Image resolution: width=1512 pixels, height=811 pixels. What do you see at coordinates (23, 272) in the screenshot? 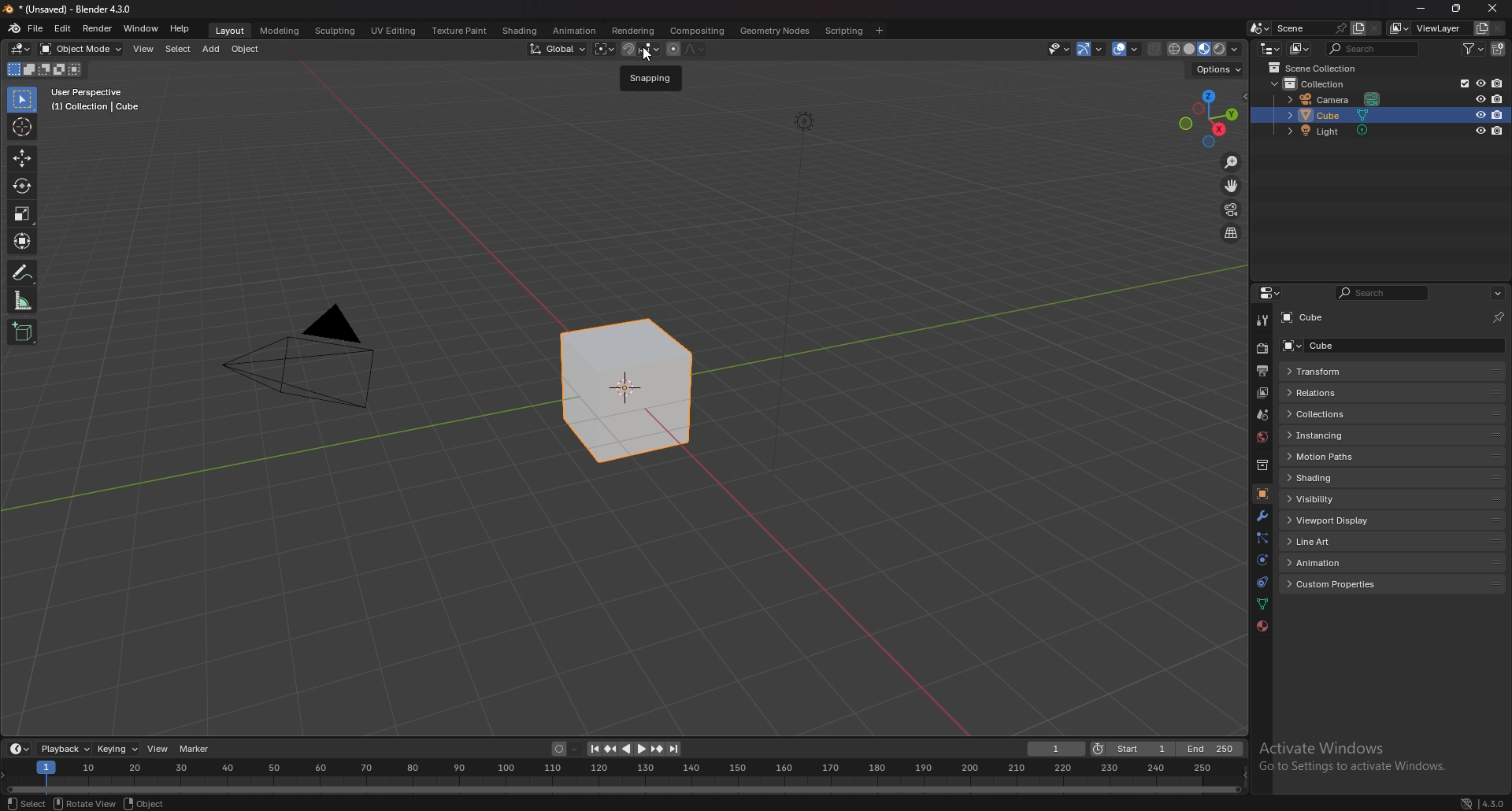
I see `annotate` at bounding box center [23, 272].